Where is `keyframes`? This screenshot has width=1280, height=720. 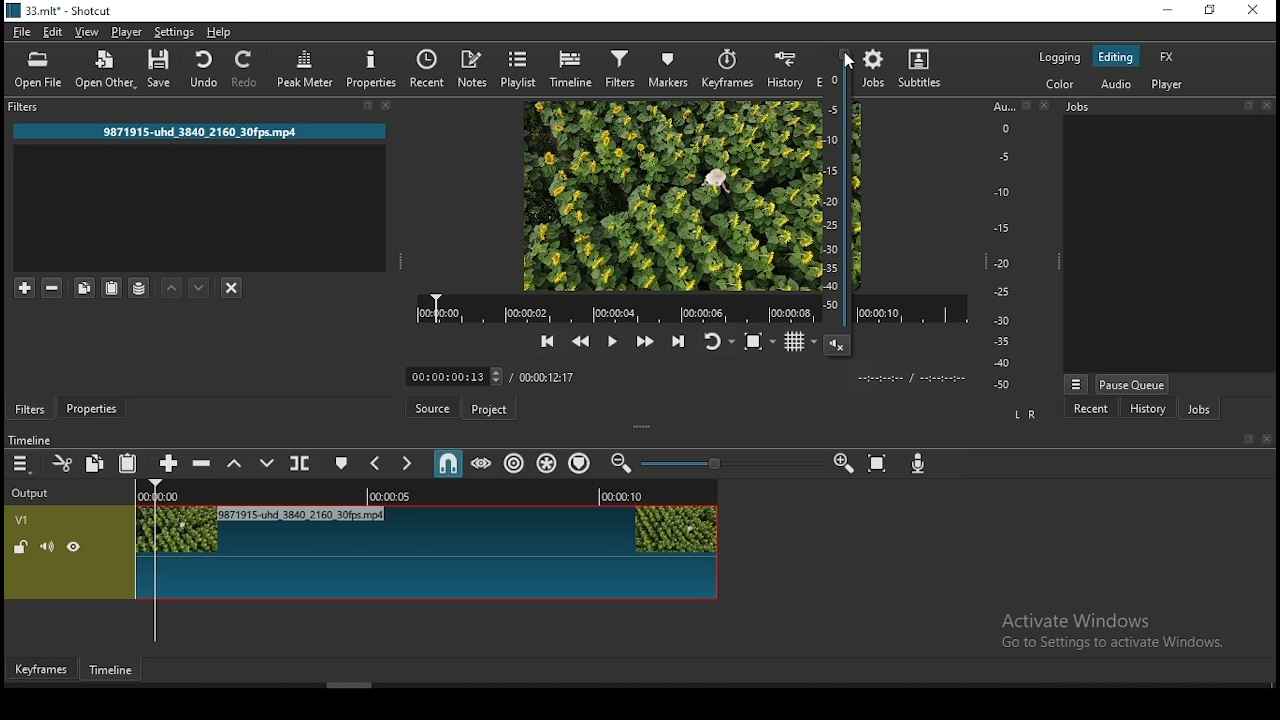
keyframes is located at coordinates (45, 668).